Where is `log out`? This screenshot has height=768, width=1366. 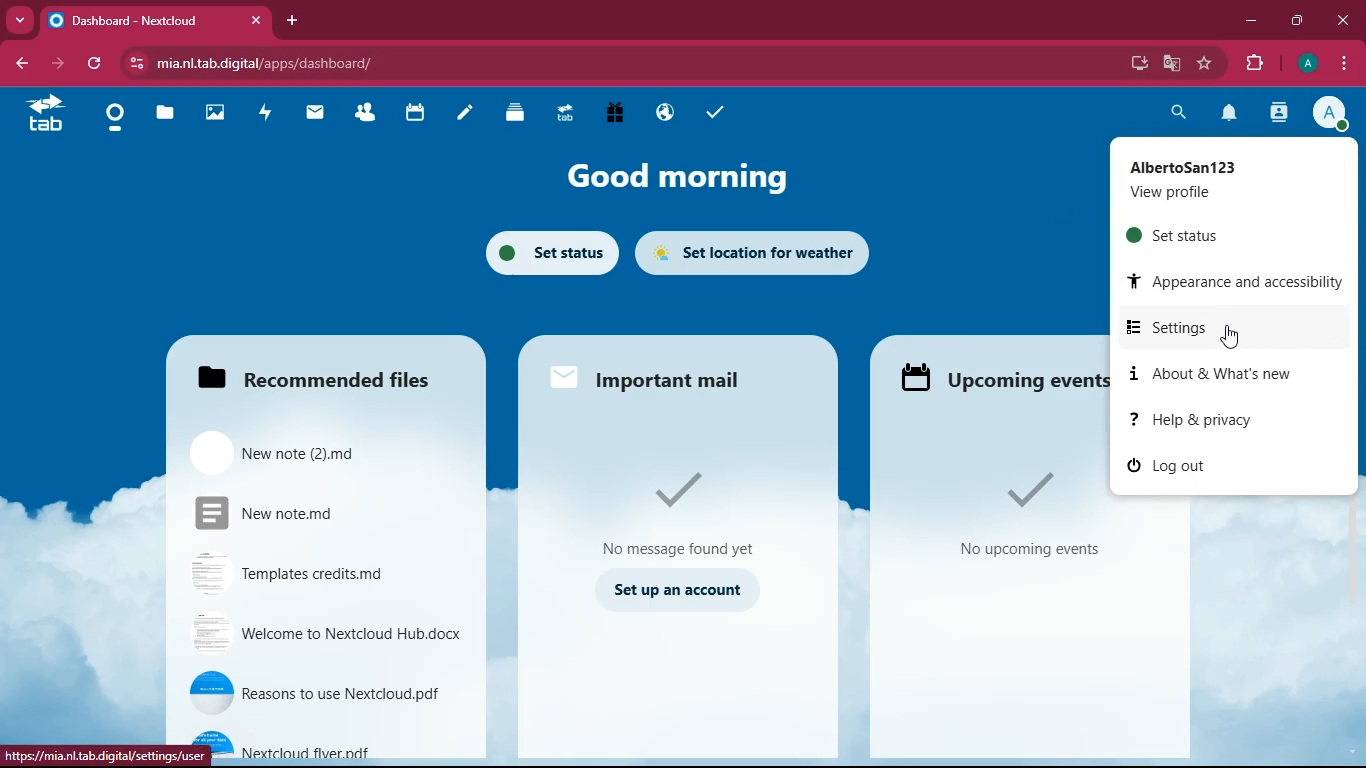
log out is located at coordinates (1229, 462).